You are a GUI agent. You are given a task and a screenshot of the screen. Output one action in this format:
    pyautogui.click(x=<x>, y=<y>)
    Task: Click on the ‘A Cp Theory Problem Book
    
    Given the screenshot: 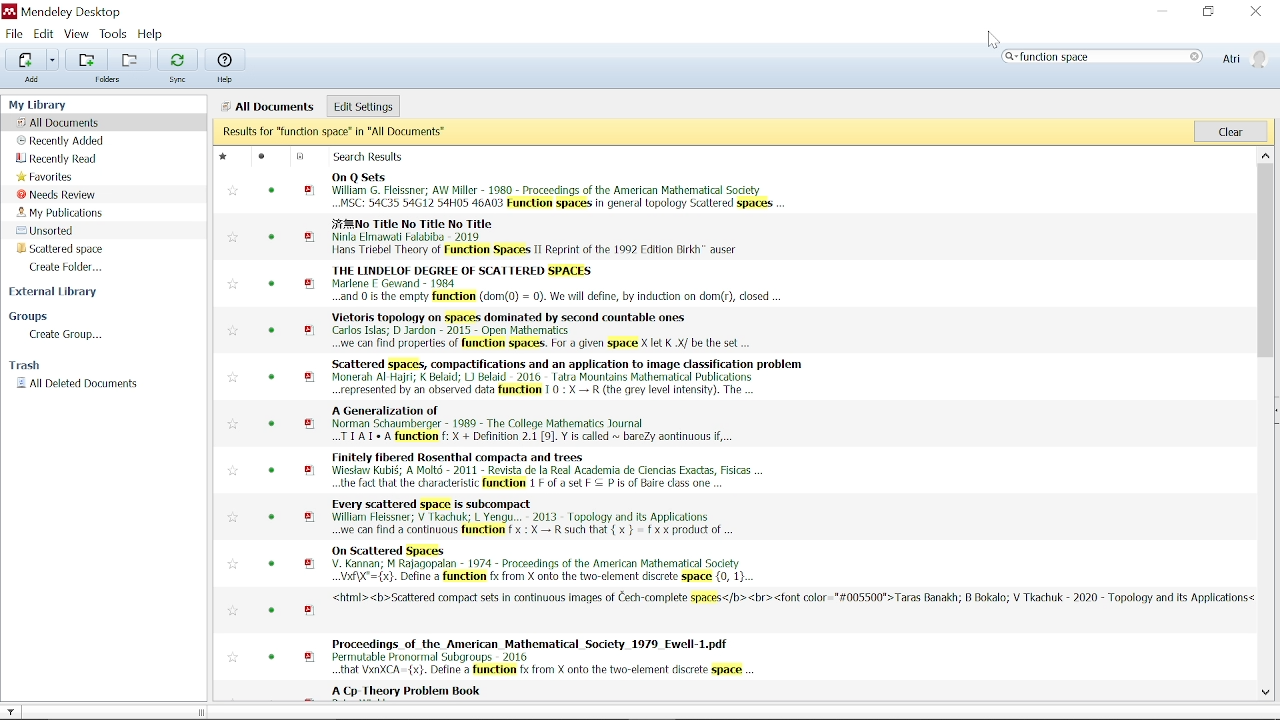 What is the action you would take?
    pyautogui.click(x=750, y=692)
    